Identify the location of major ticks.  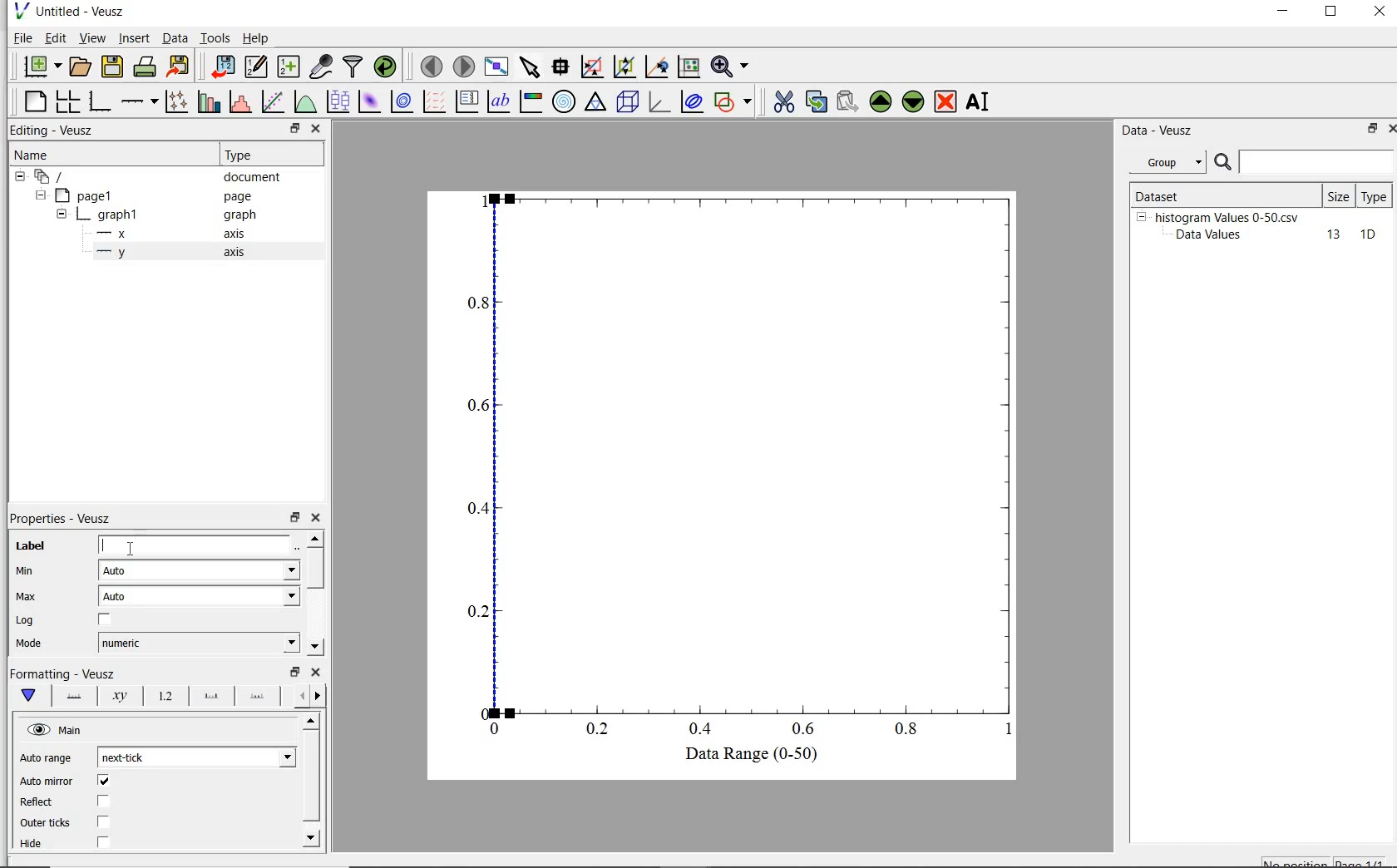
(210, 697).